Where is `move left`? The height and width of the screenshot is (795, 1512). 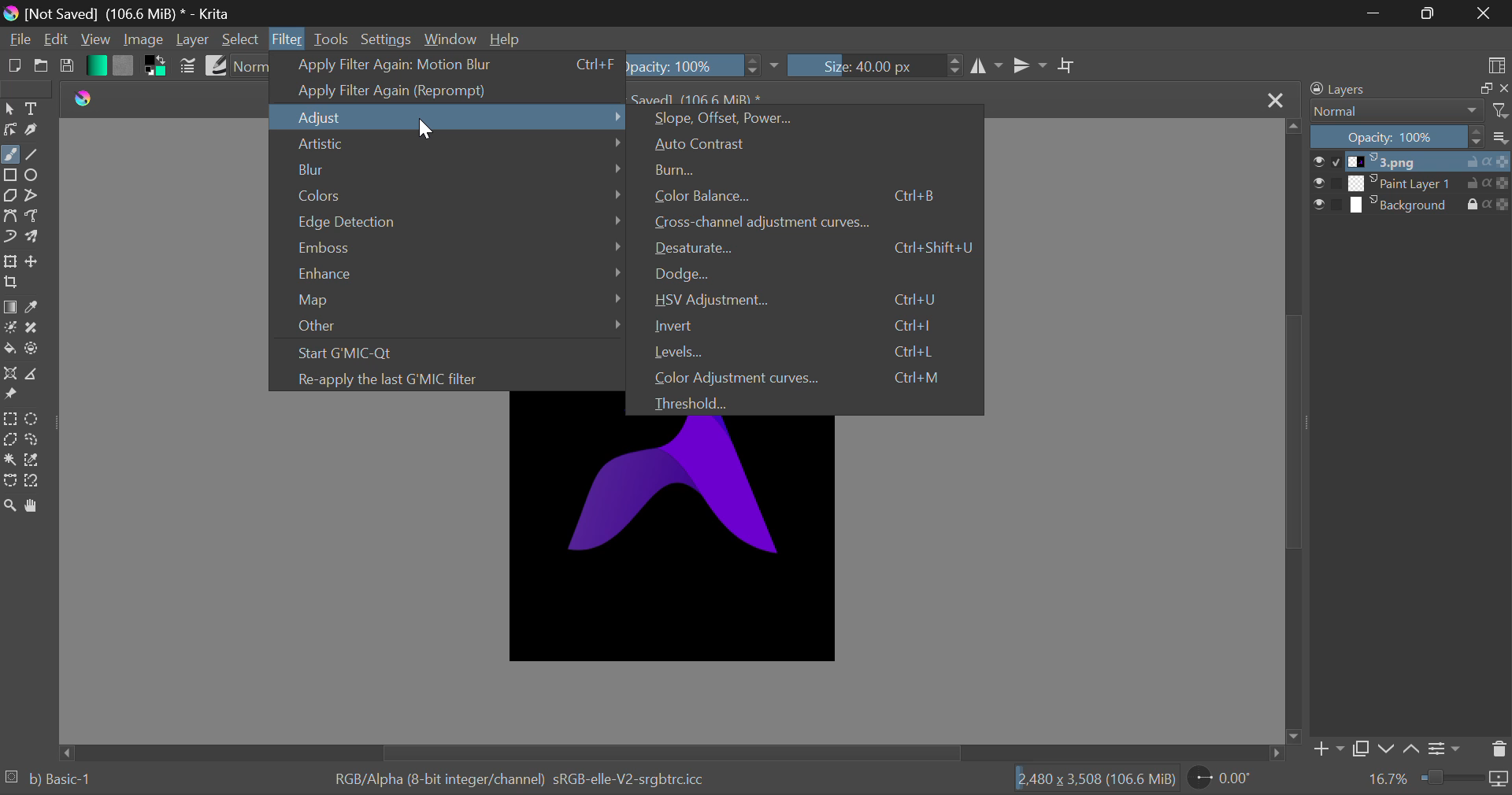
move left is located at coordinates (70, 752).